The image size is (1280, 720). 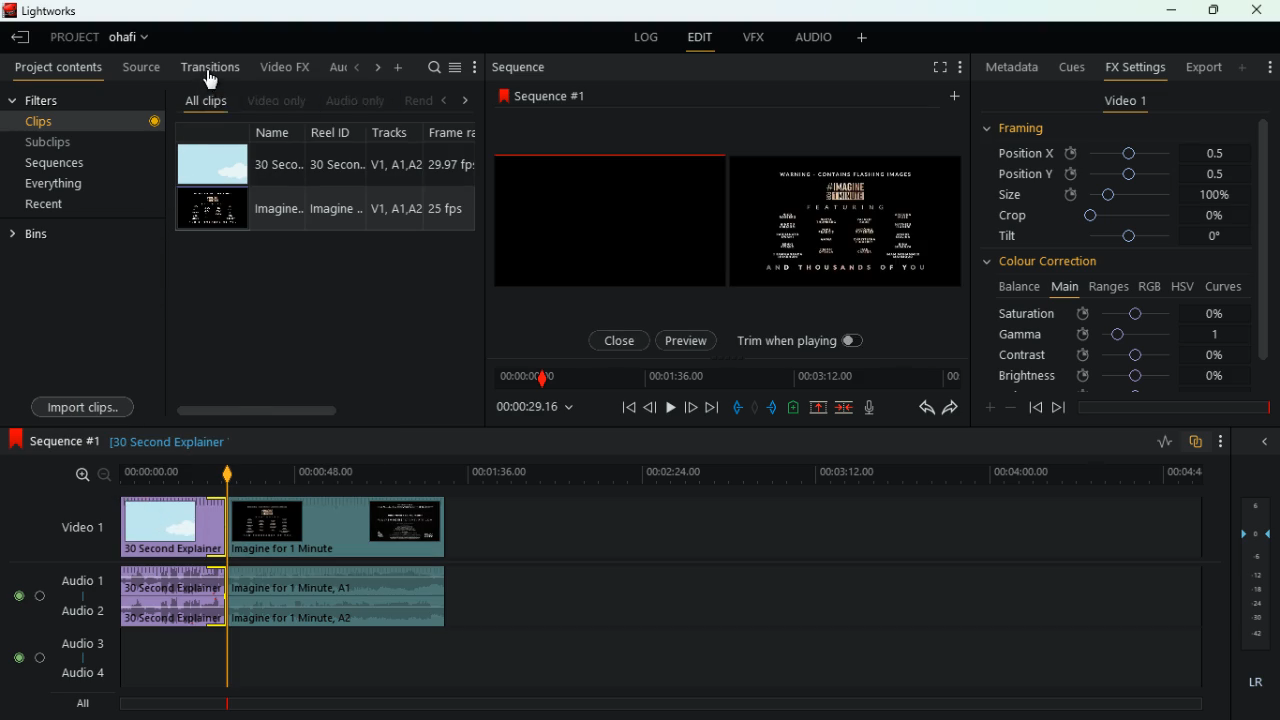 I want to click on audio, so click(x=176, y=599).